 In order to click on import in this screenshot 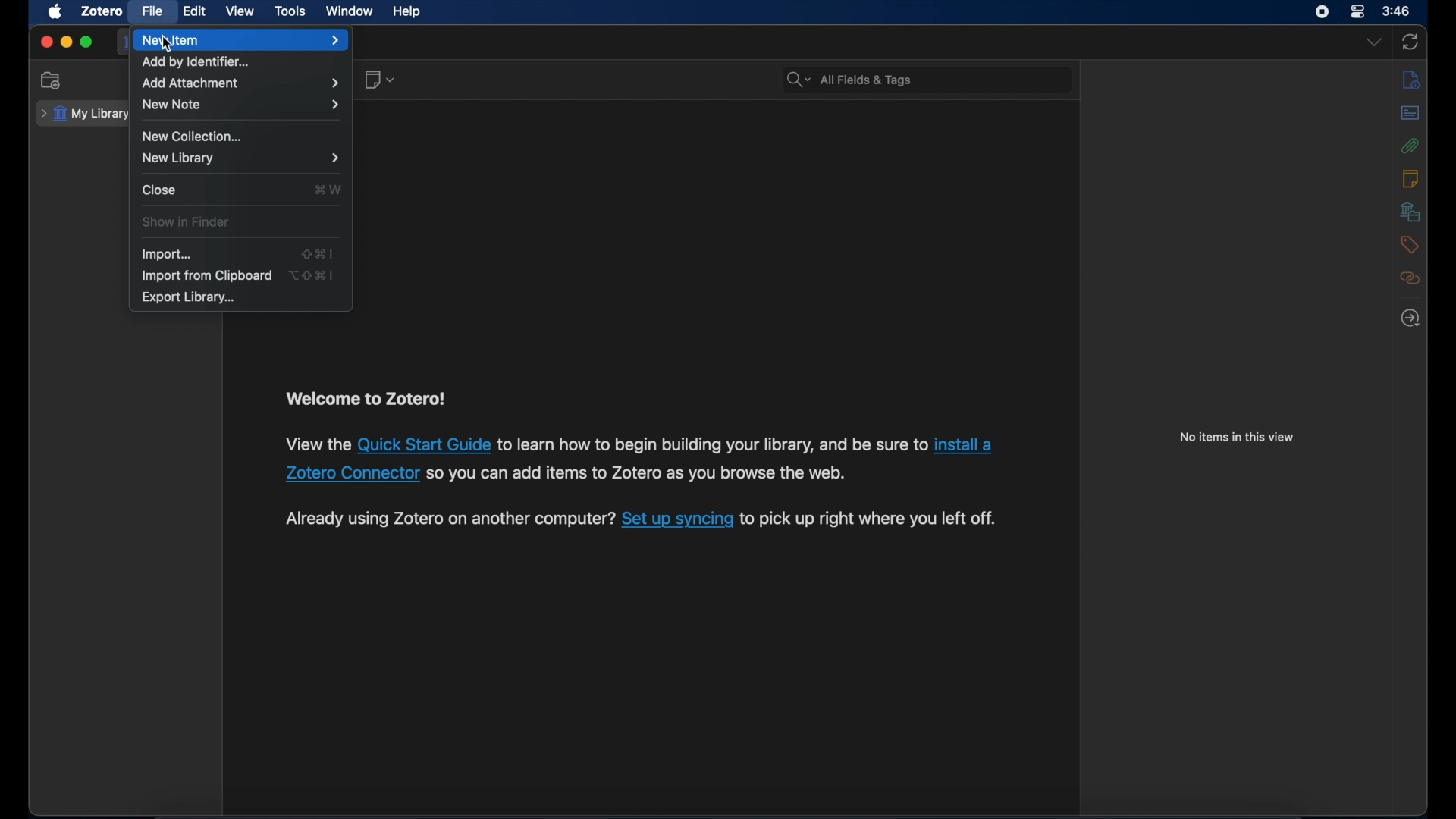, I will do `click(168, 254)`.